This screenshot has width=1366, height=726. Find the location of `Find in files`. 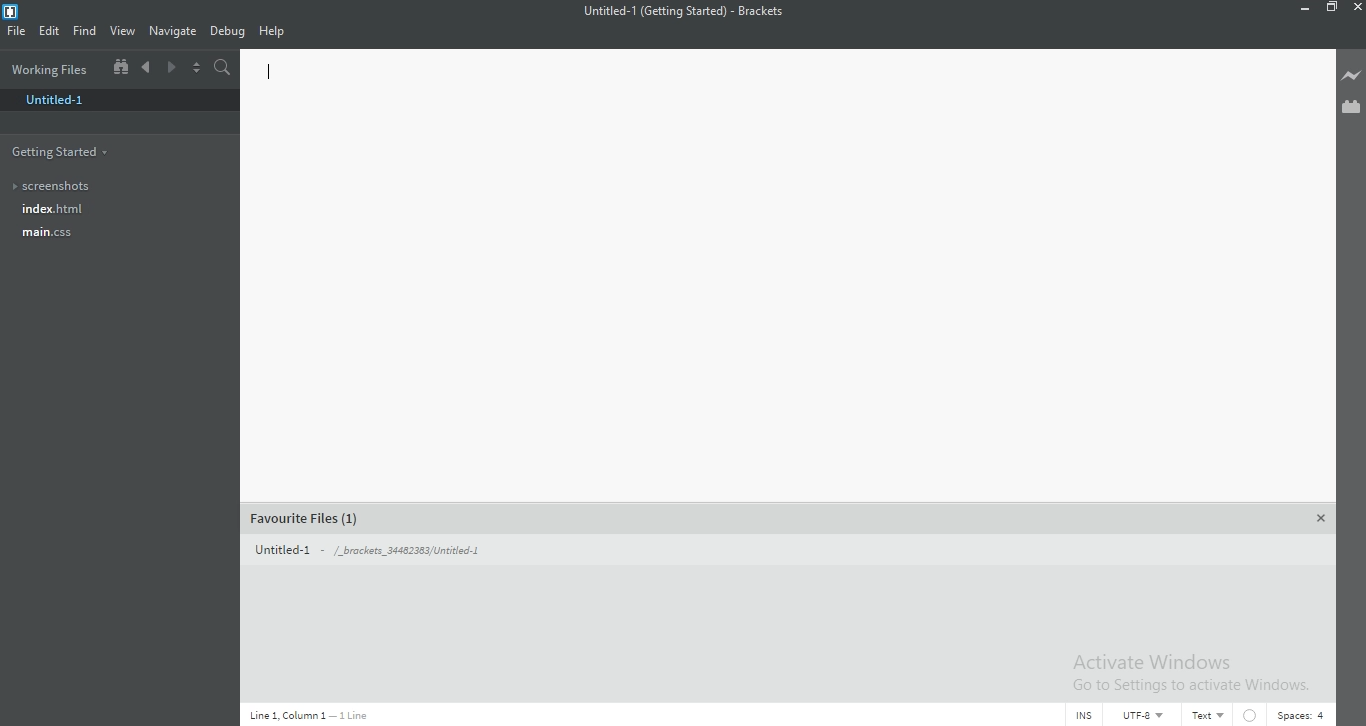

Find in files is located at coordinates (222, 69).